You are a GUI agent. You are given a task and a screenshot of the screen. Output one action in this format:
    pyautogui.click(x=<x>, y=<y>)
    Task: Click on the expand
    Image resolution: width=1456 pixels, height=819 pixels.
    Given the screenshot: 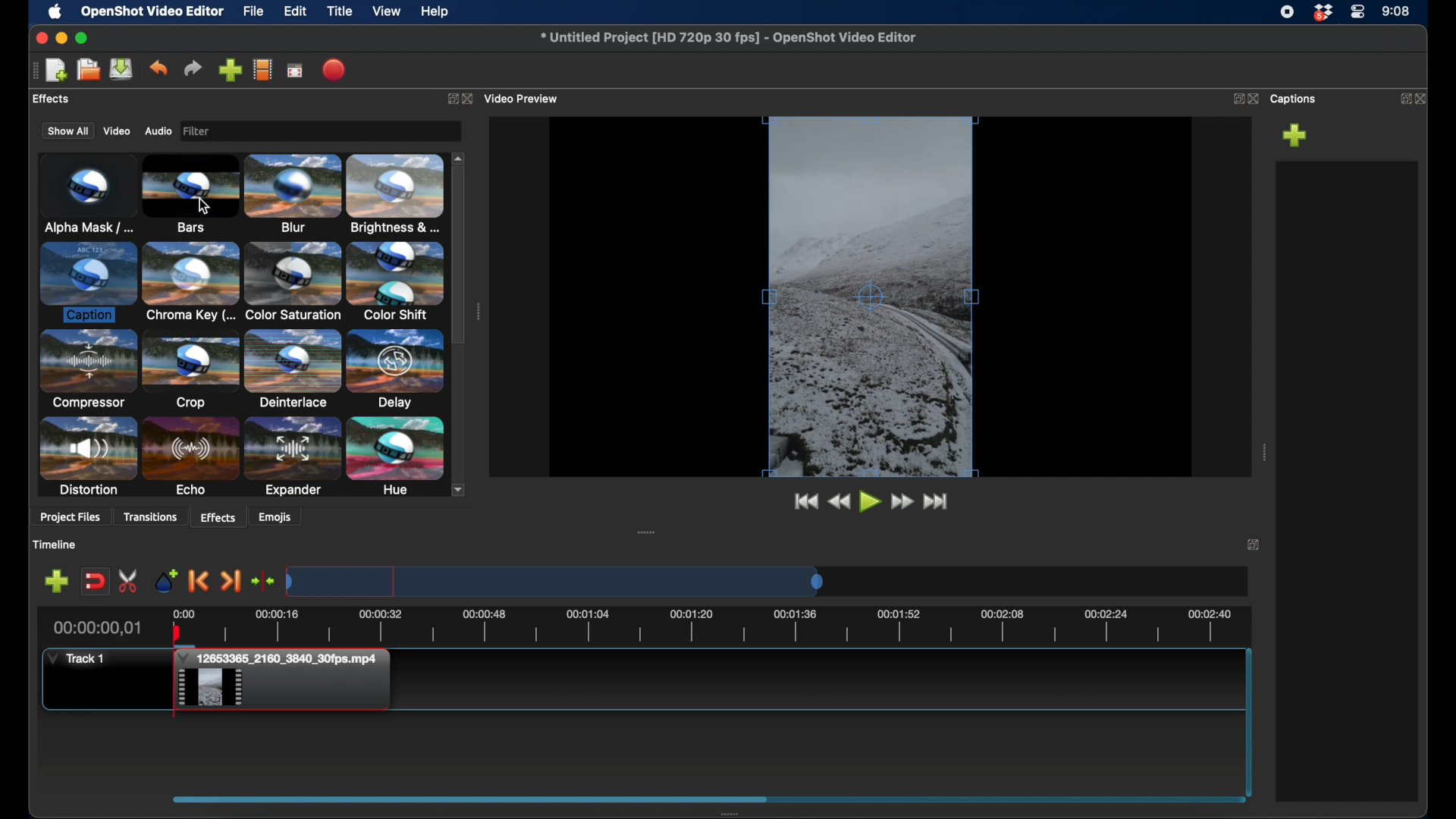 What is the action you would take?
    pyautogui.click(x=450, y=98)
    